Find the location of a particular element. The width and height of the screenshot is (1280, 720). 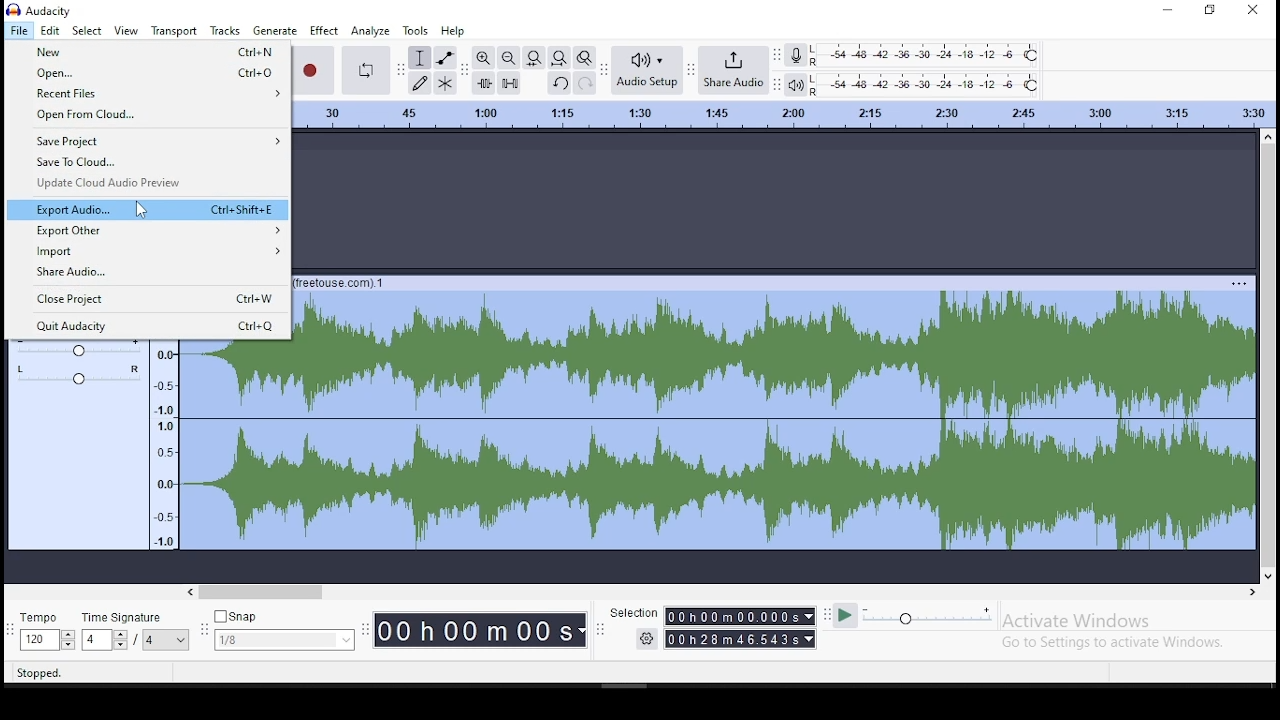

recent files is located at coordinates (152, 94).